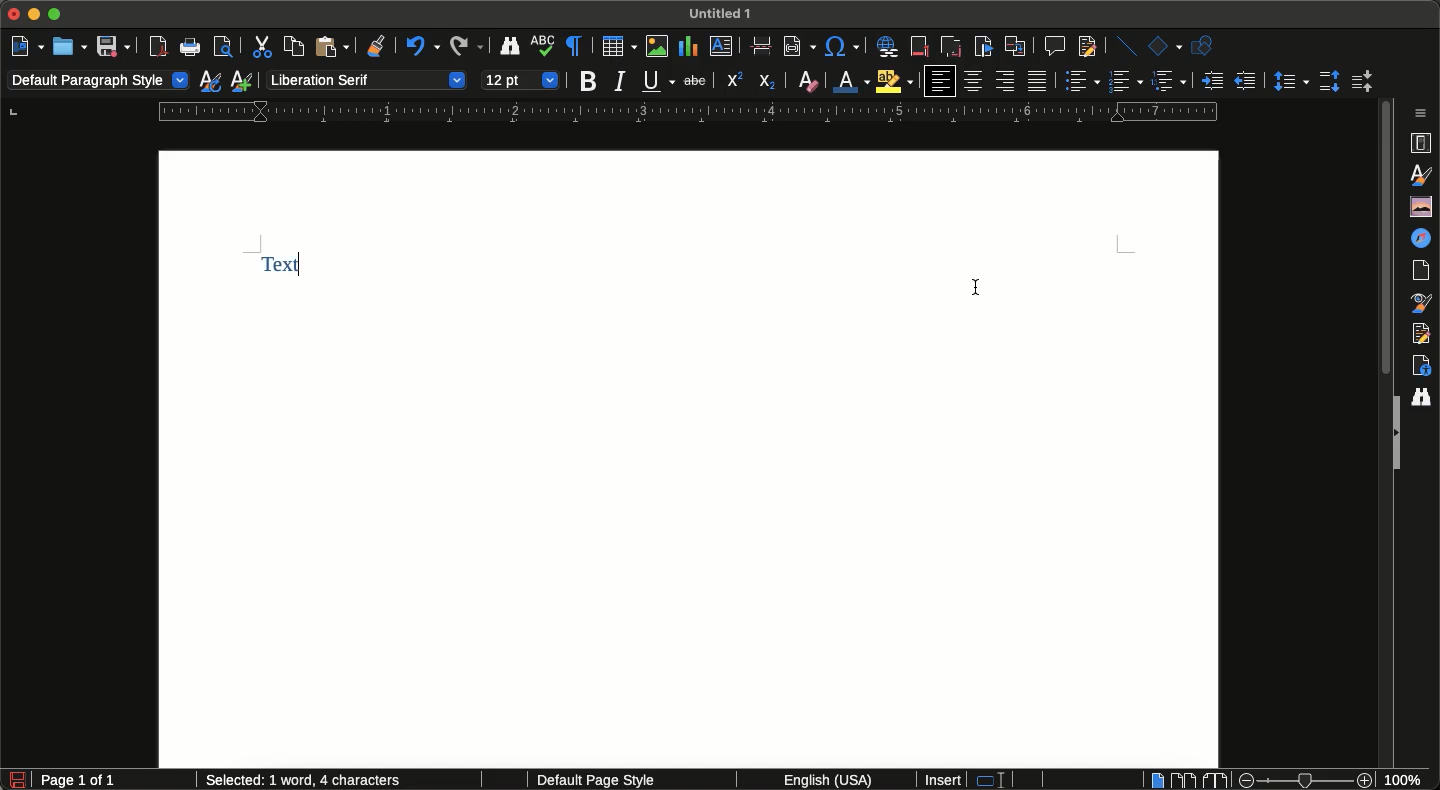 This screenshot has height=790, width=1440. Describe the element at coordinates (1384, 243) in the screenshot. I see `Scroll` at that location.